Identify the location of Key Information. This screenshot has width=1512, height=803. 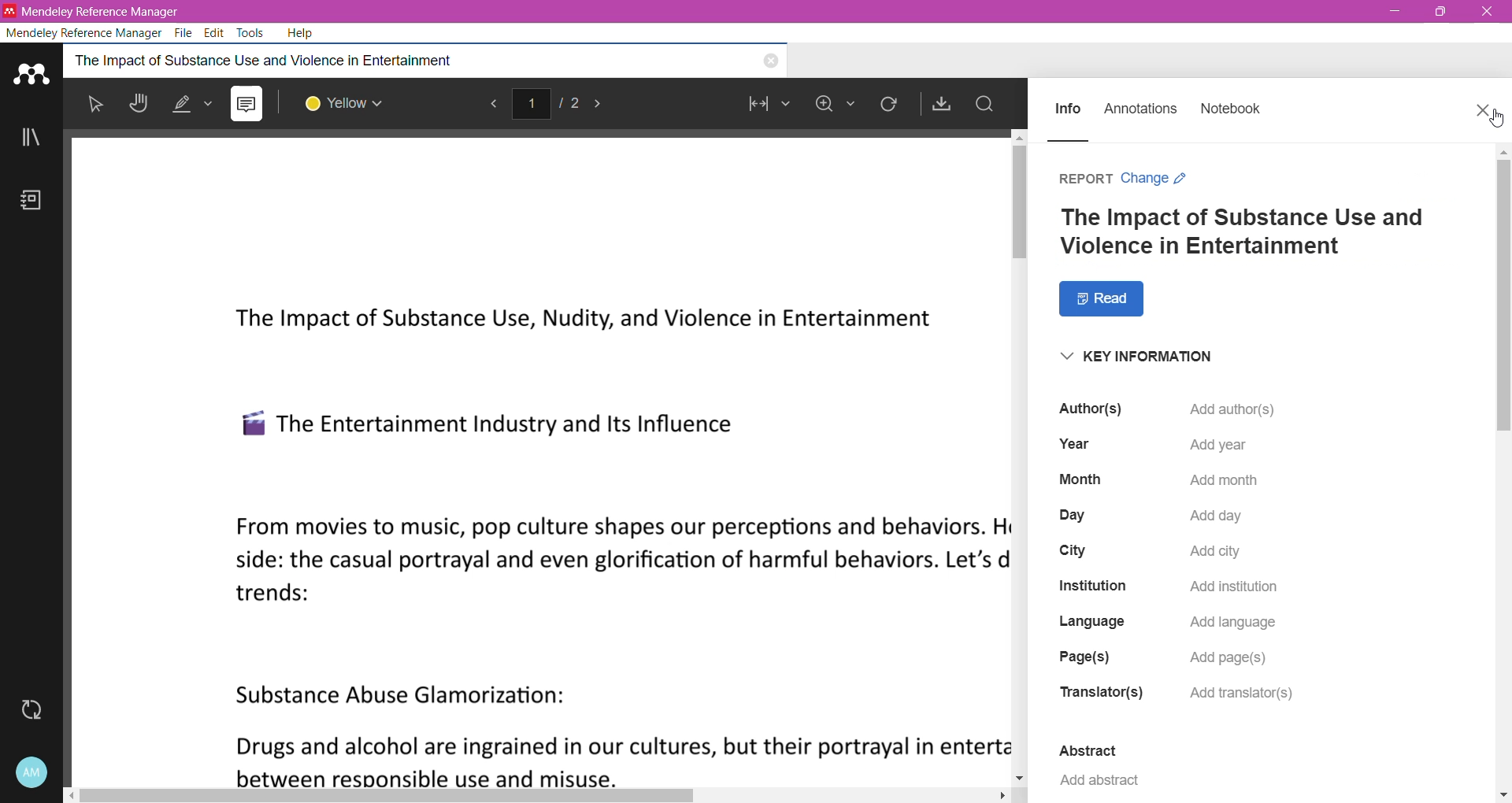
(1158, 358).